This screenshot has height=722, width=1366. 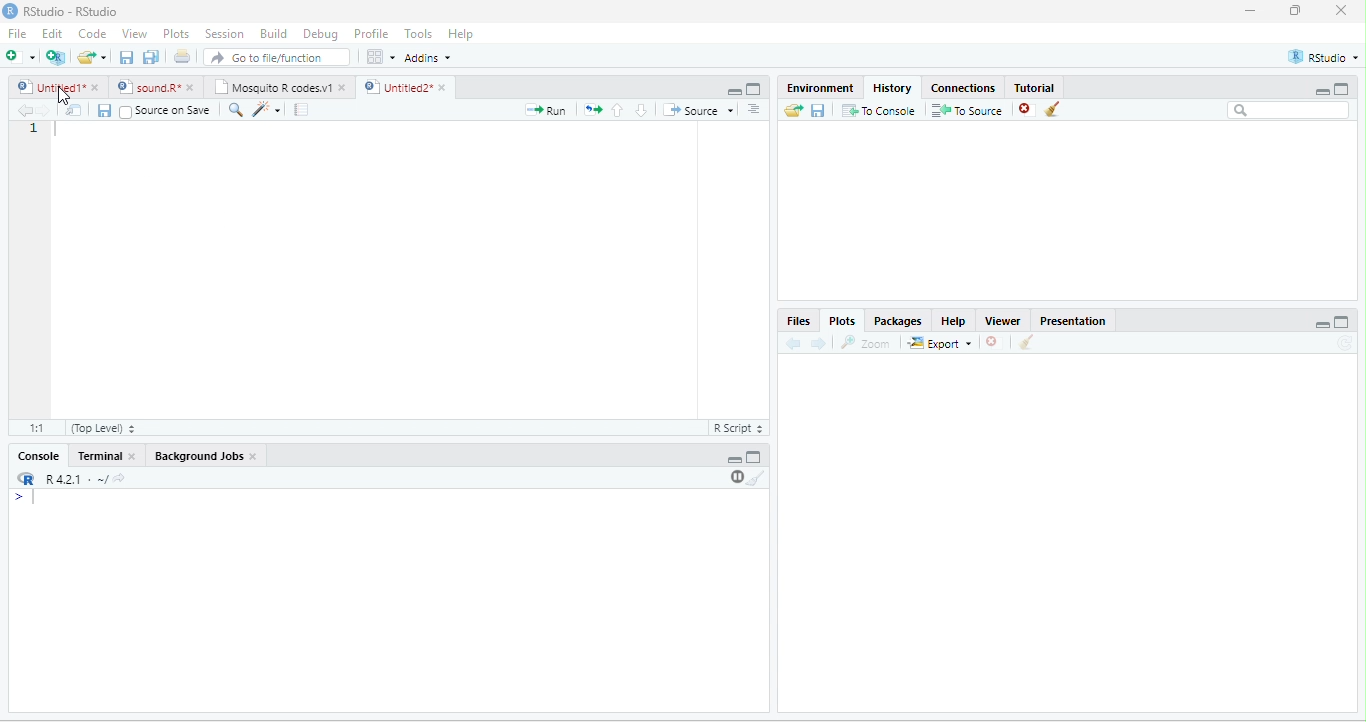 I want to click on sound.R, so click(x=148, y=87).